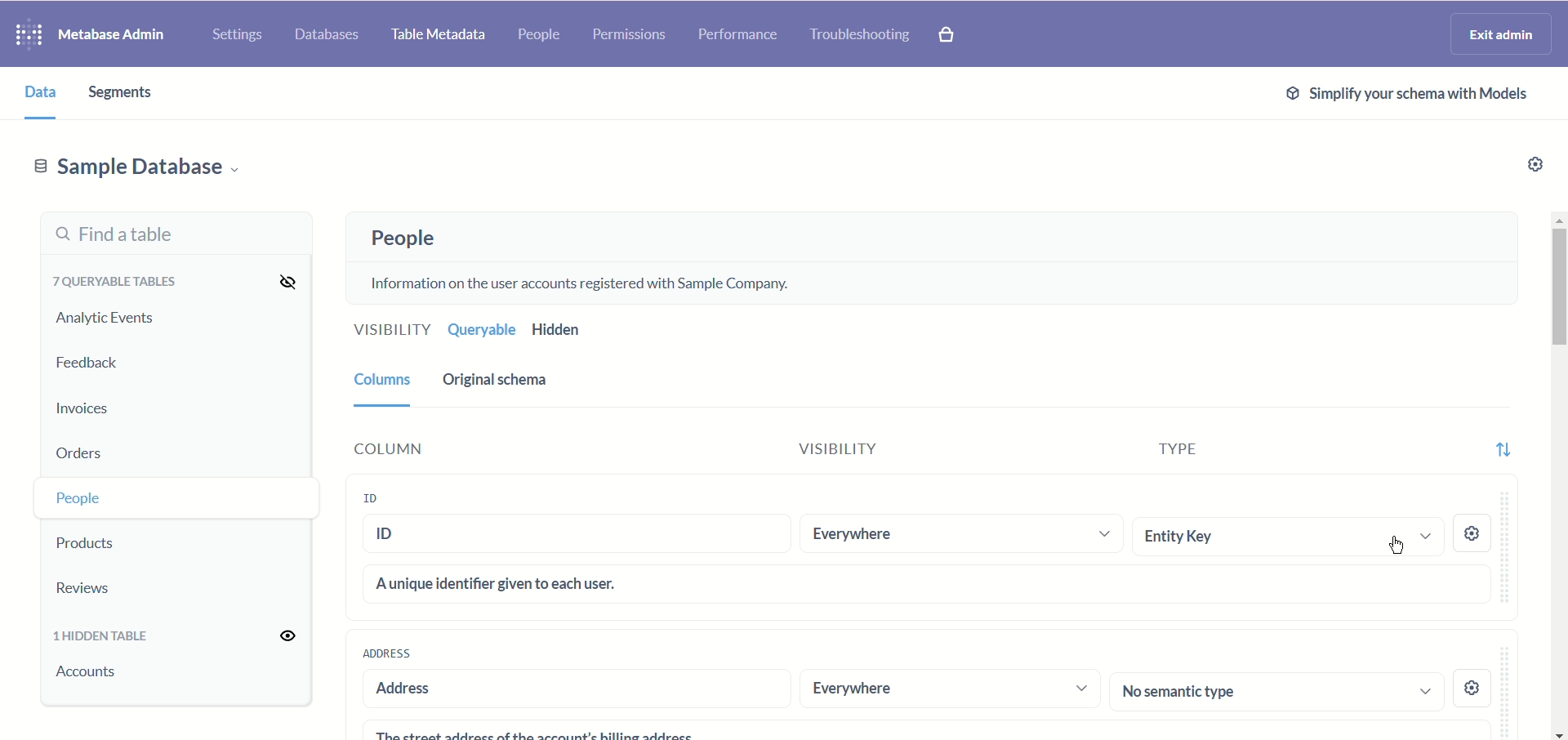 The width and height of the screenshot is (1568, 740). What do you see at coordinates (379, 378) in the screenshot?
I see `Columns` at bounding box center [379, 378].